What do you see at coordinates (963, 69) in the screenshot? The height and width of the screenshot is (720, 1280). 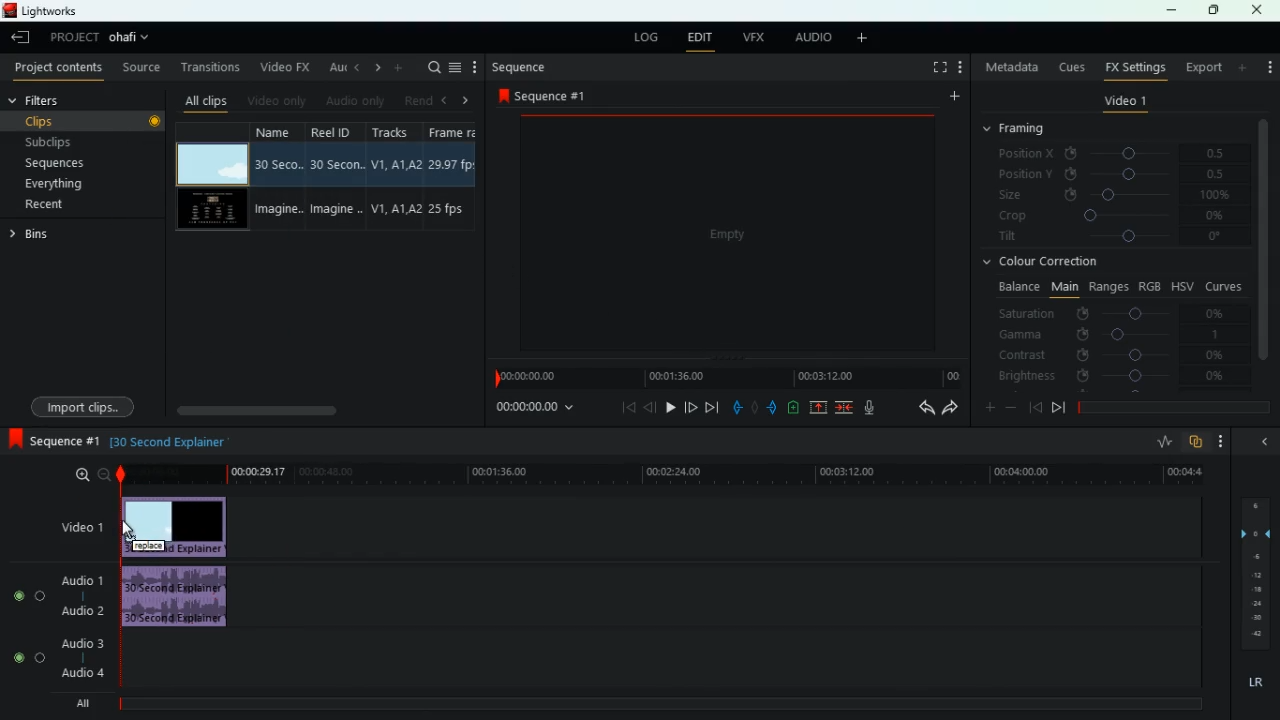 I see `more` at bounding box center [963, 69].